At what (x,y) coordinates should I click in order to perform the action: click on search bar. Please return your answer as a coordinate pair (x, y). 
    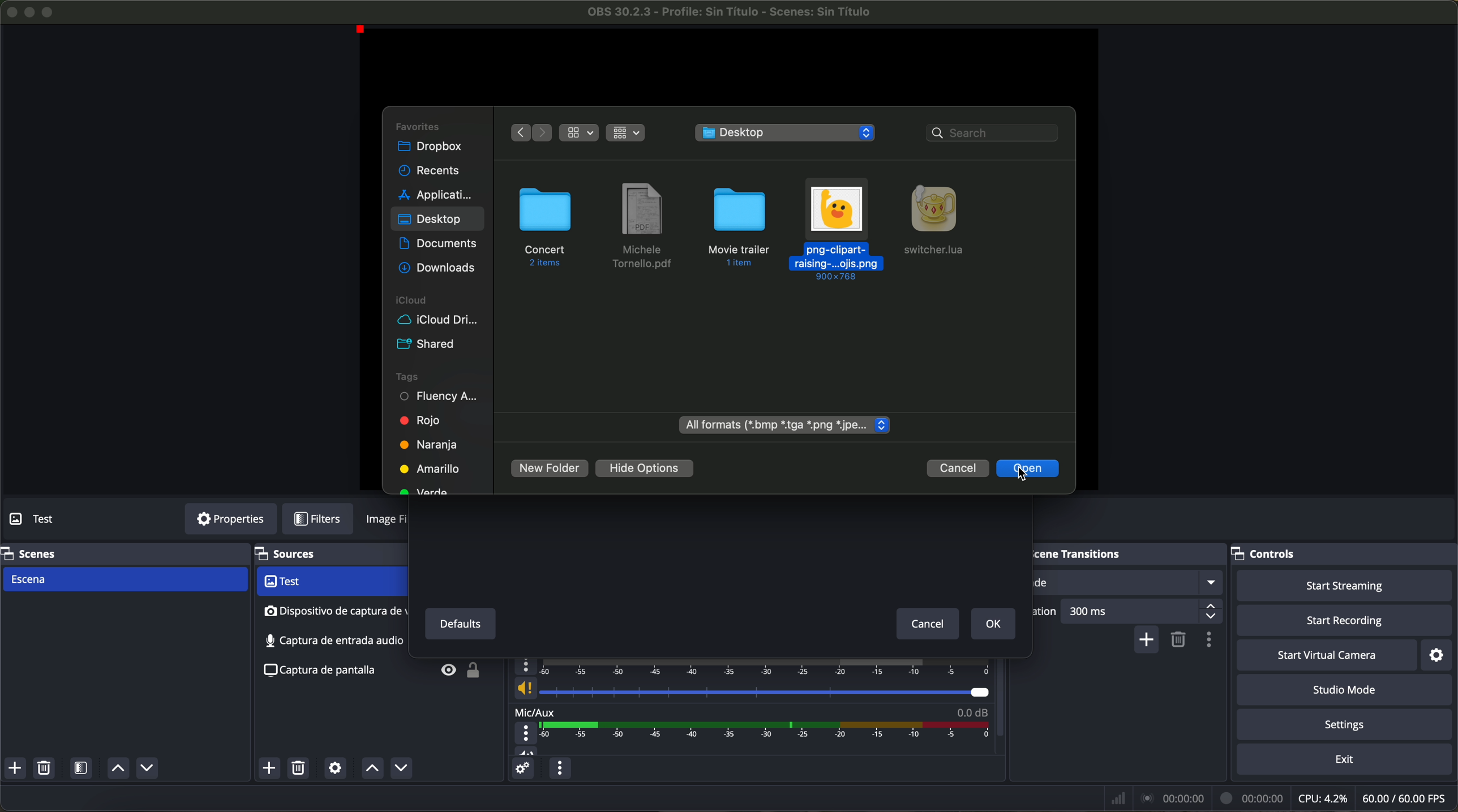
    Looking at the image, I should click on (994, 132).